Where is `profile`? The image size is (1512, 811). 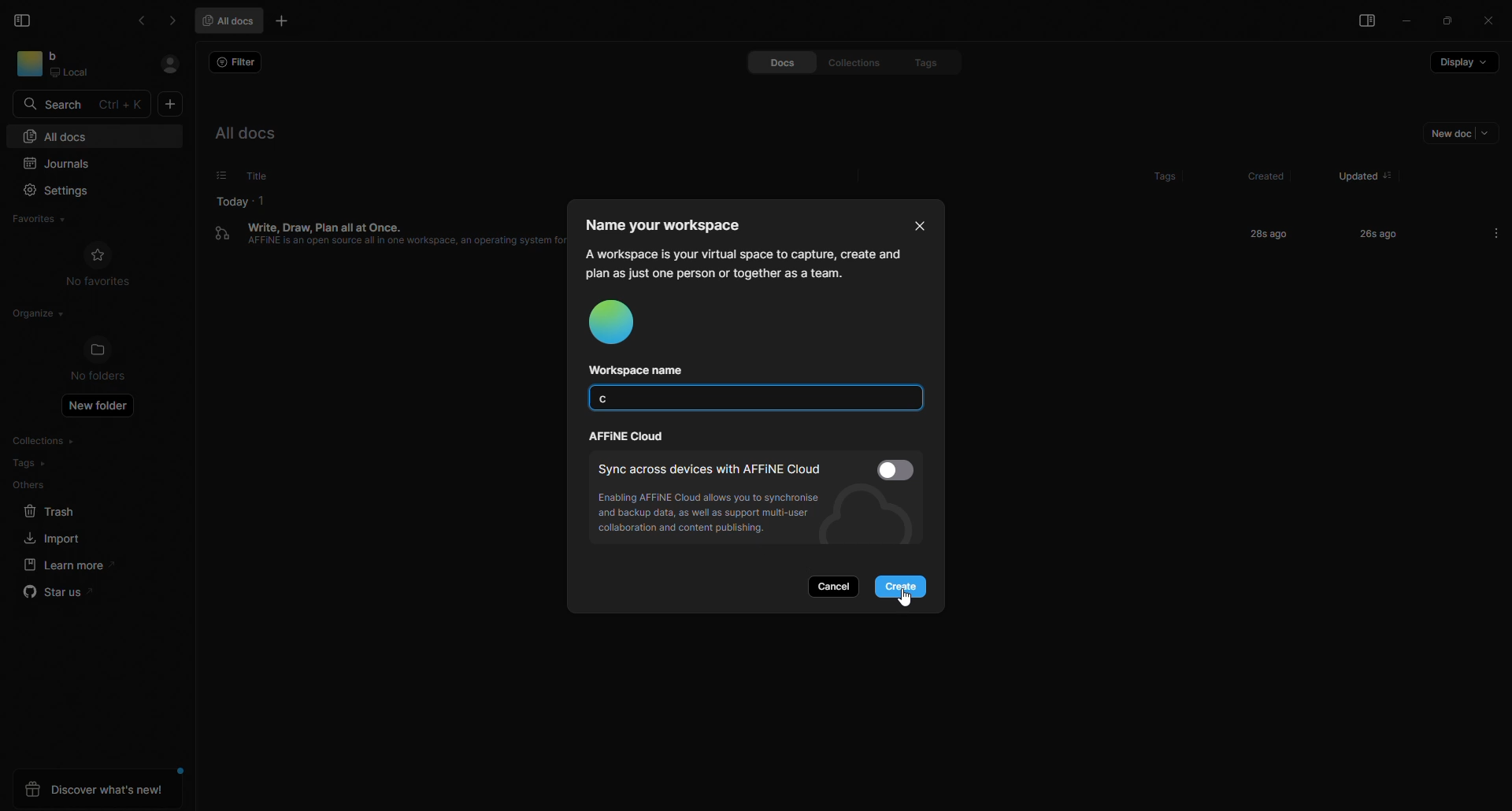
profile is located at coordinates (620, 324).